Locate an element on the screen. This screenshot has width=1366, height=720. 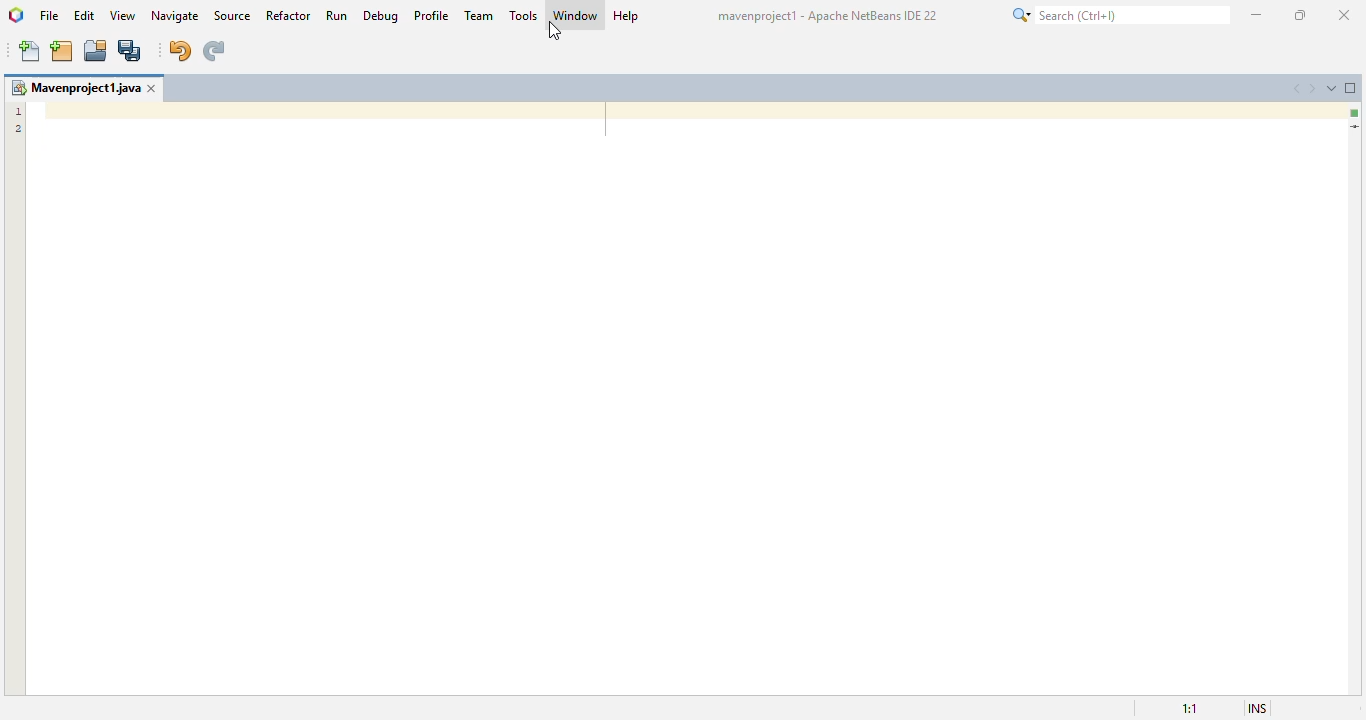
mavenproject1 - Apache Netbeans IDE 23 is located at coordinates (830, 15).